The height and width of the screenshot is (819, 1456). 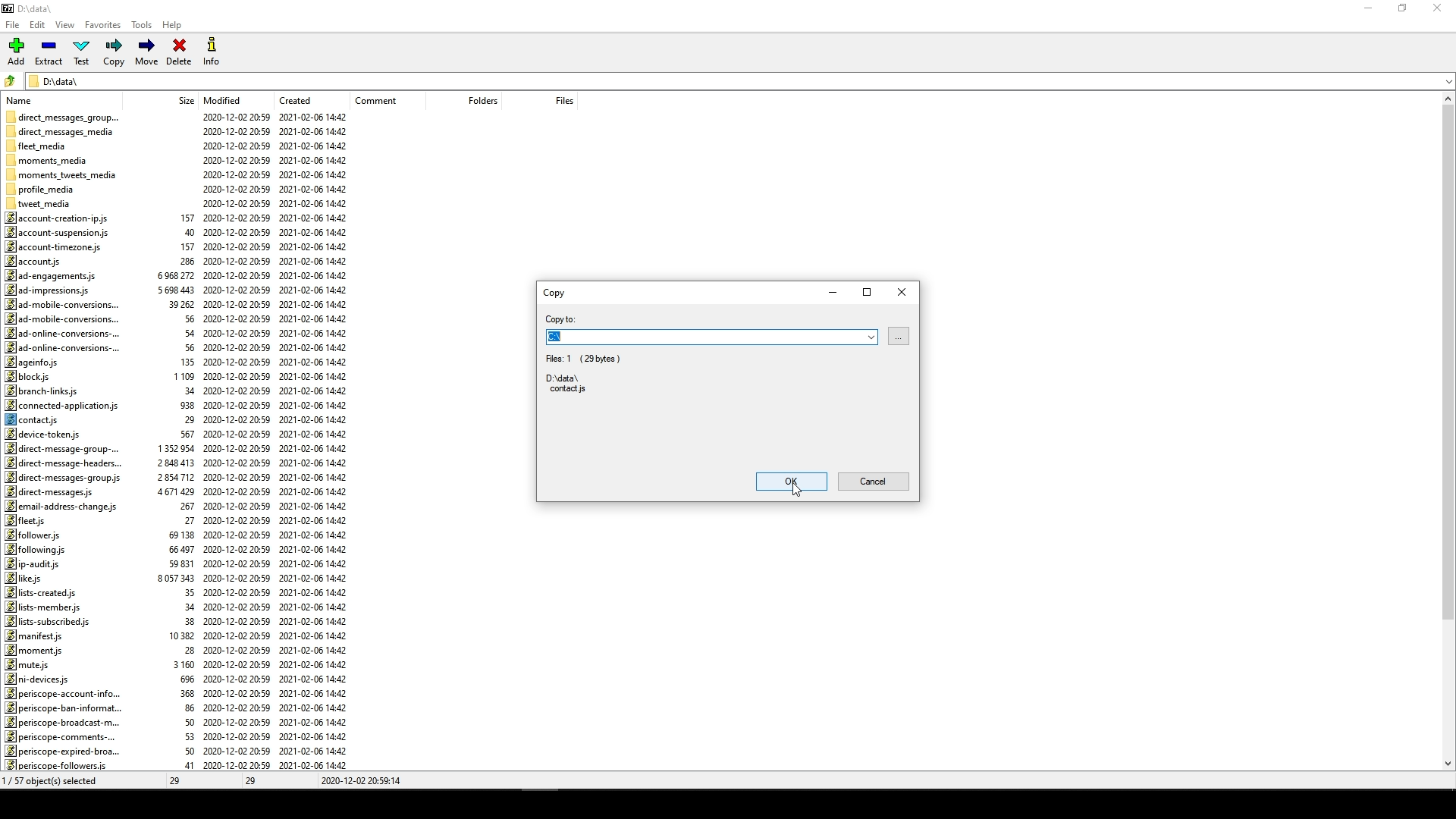 What do you see at coordinates (59, 737) in the screenshot?
I see `periscope-comments` at bounding box center [59, 737].